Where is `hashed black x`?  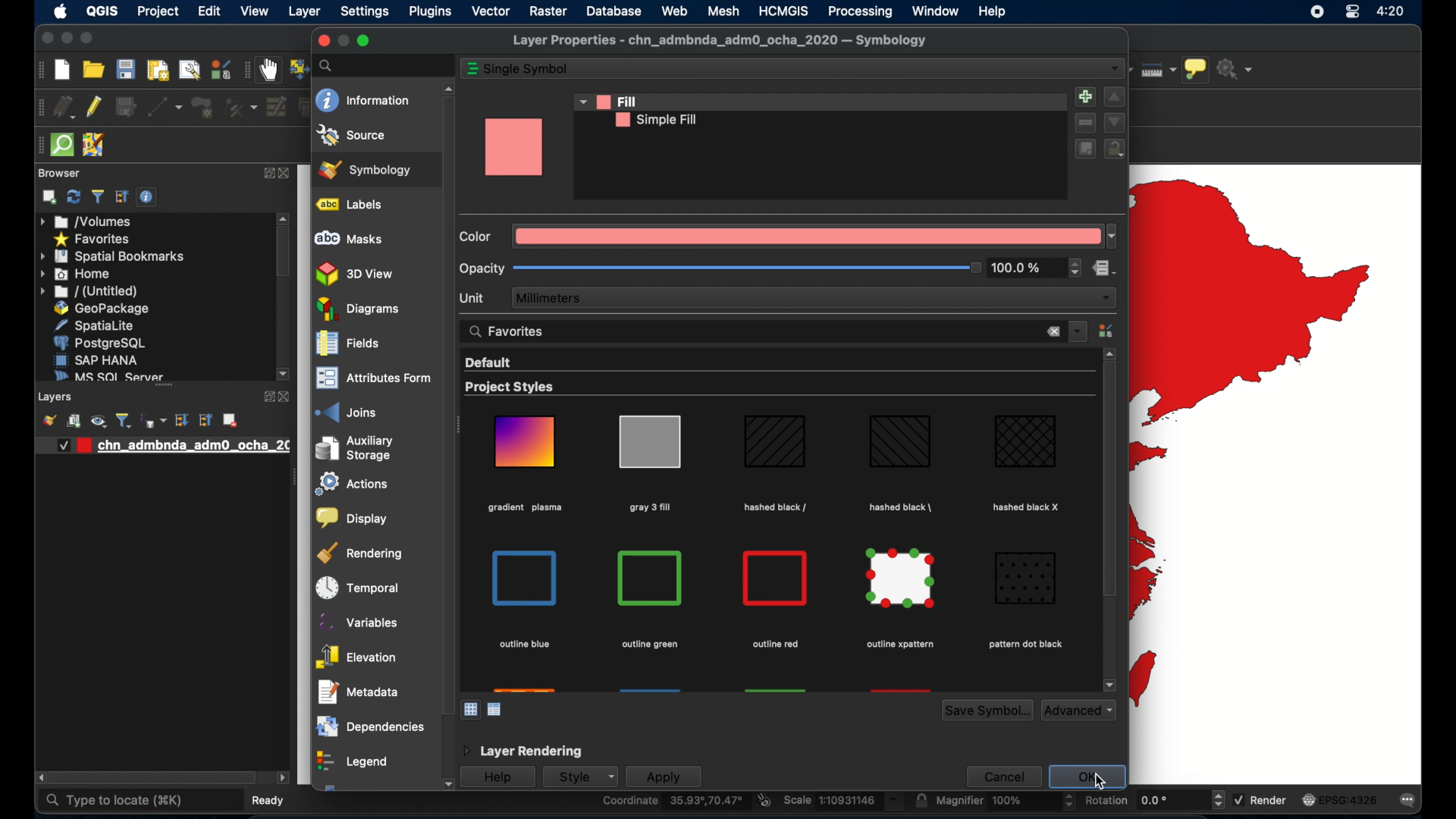
hashed black x is located at coordinates (1028, 507).